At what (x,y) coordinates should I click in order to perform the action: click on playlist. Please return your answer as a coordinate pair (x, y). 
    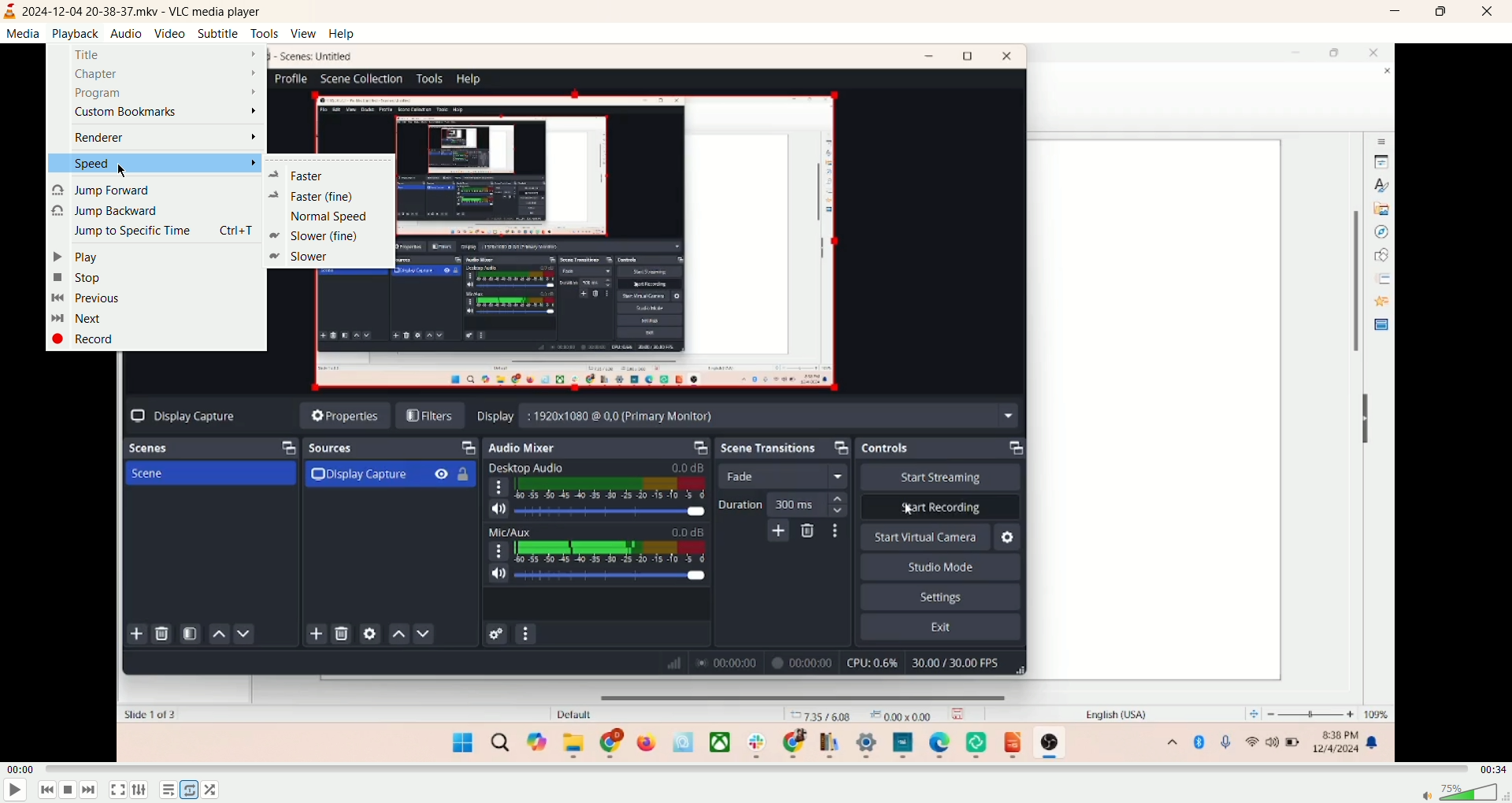
    Looking at the image, I should click on (165, 792).